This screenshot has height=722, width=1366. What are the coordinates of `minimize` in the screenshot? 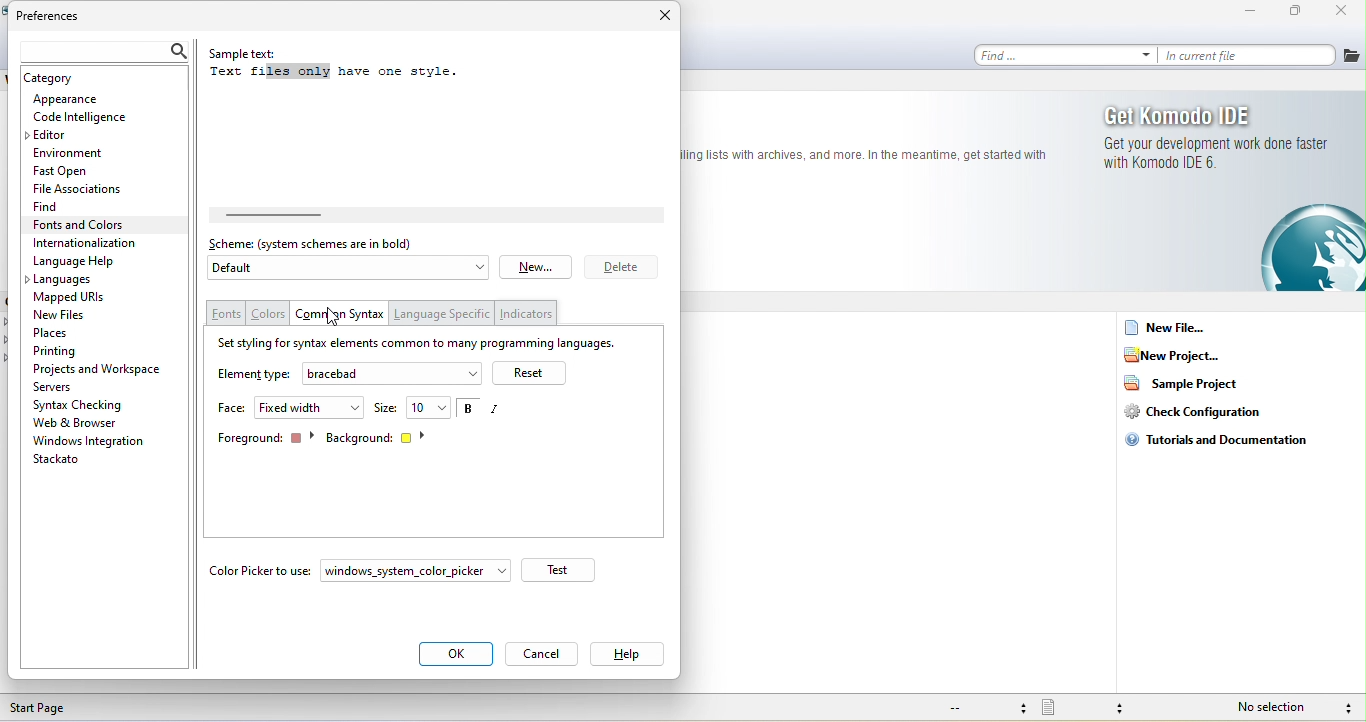 It's located at (1235, 11).